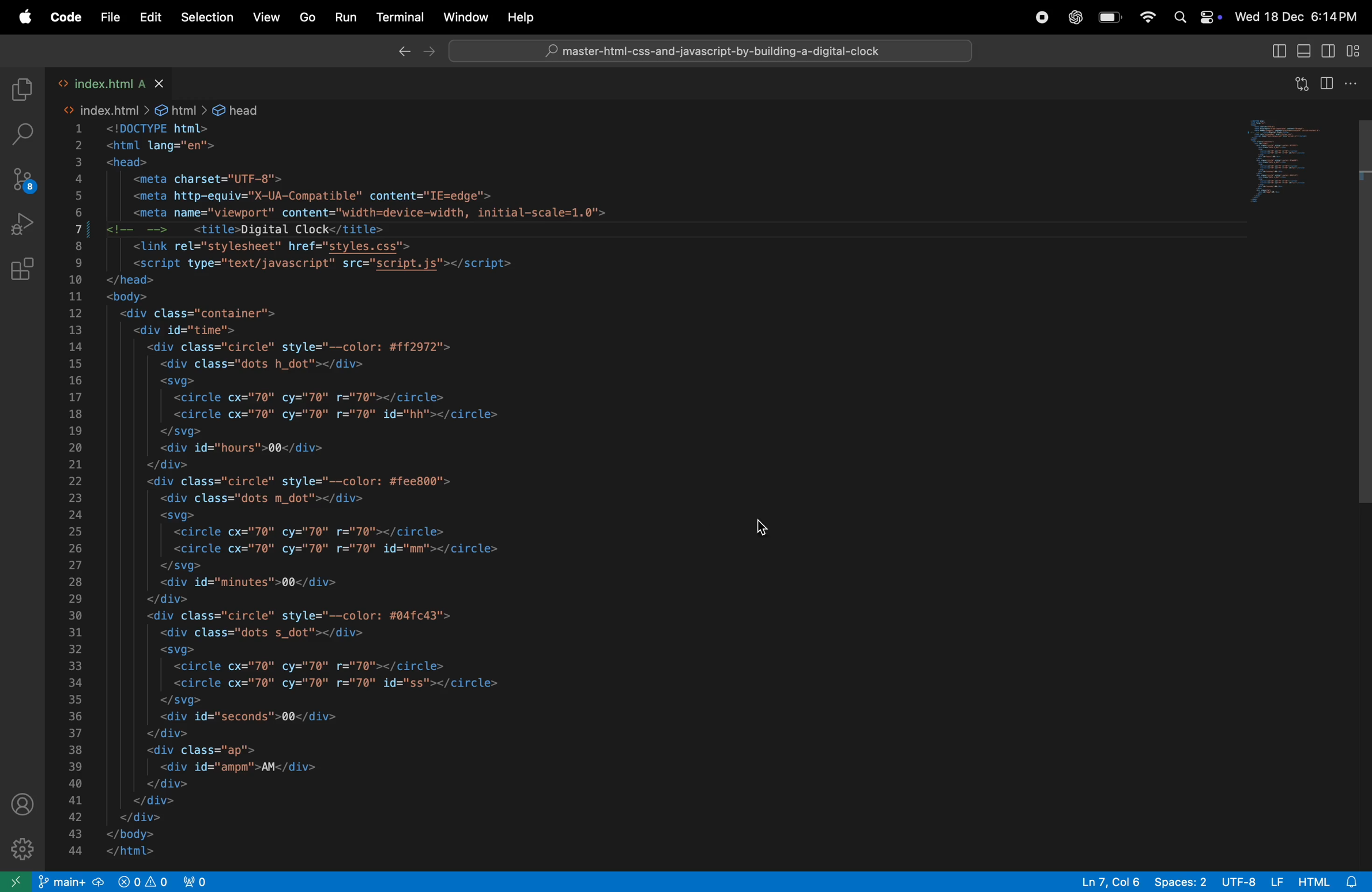 The width and height of the screenshot is (1372, 892). What do you see at coordinates (1252, 880) in the screenshot?
I see `utf -8` at bounding box center [1252, 880].